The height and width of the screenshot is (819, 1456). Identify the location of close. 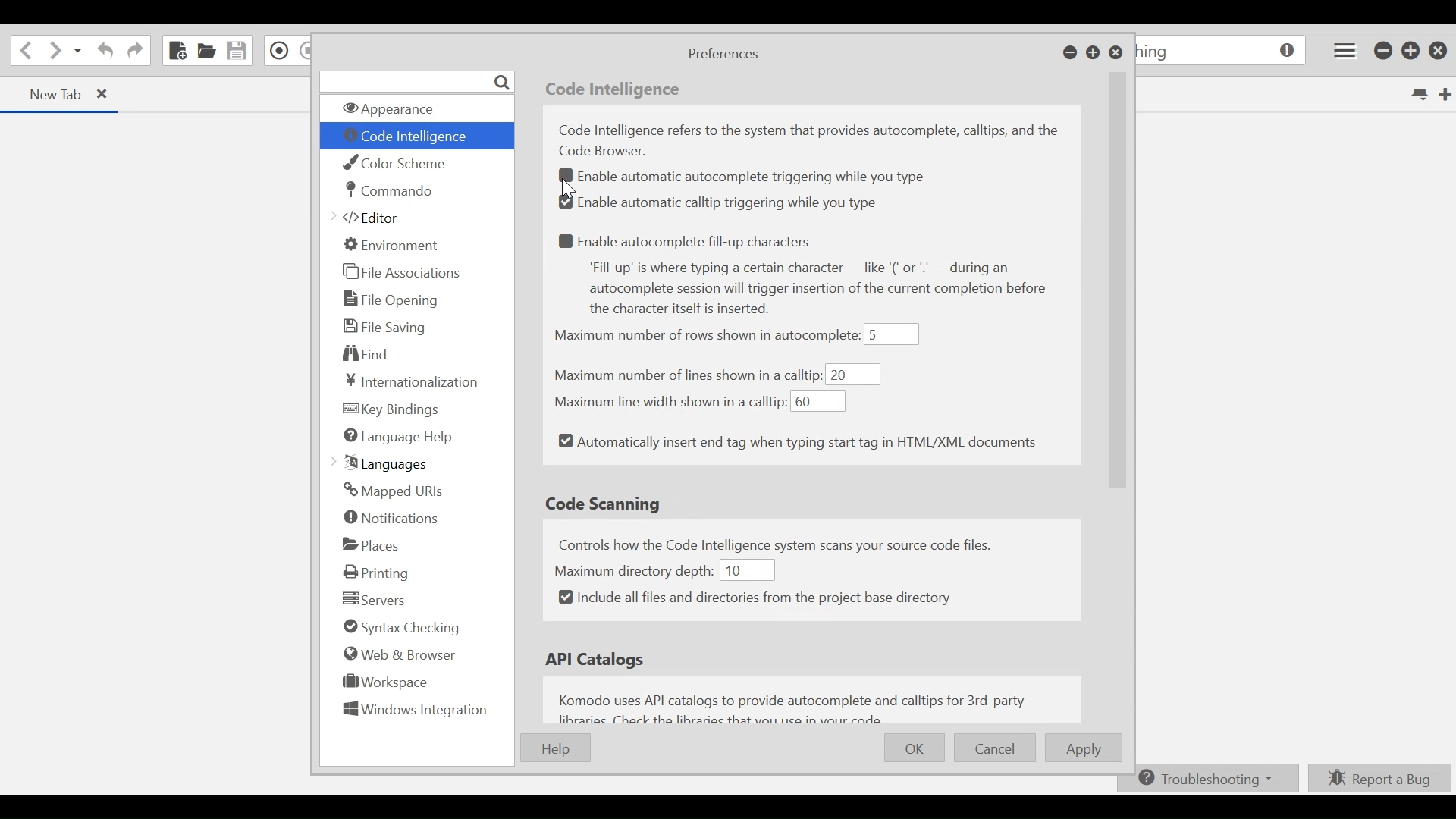
(110, 96).